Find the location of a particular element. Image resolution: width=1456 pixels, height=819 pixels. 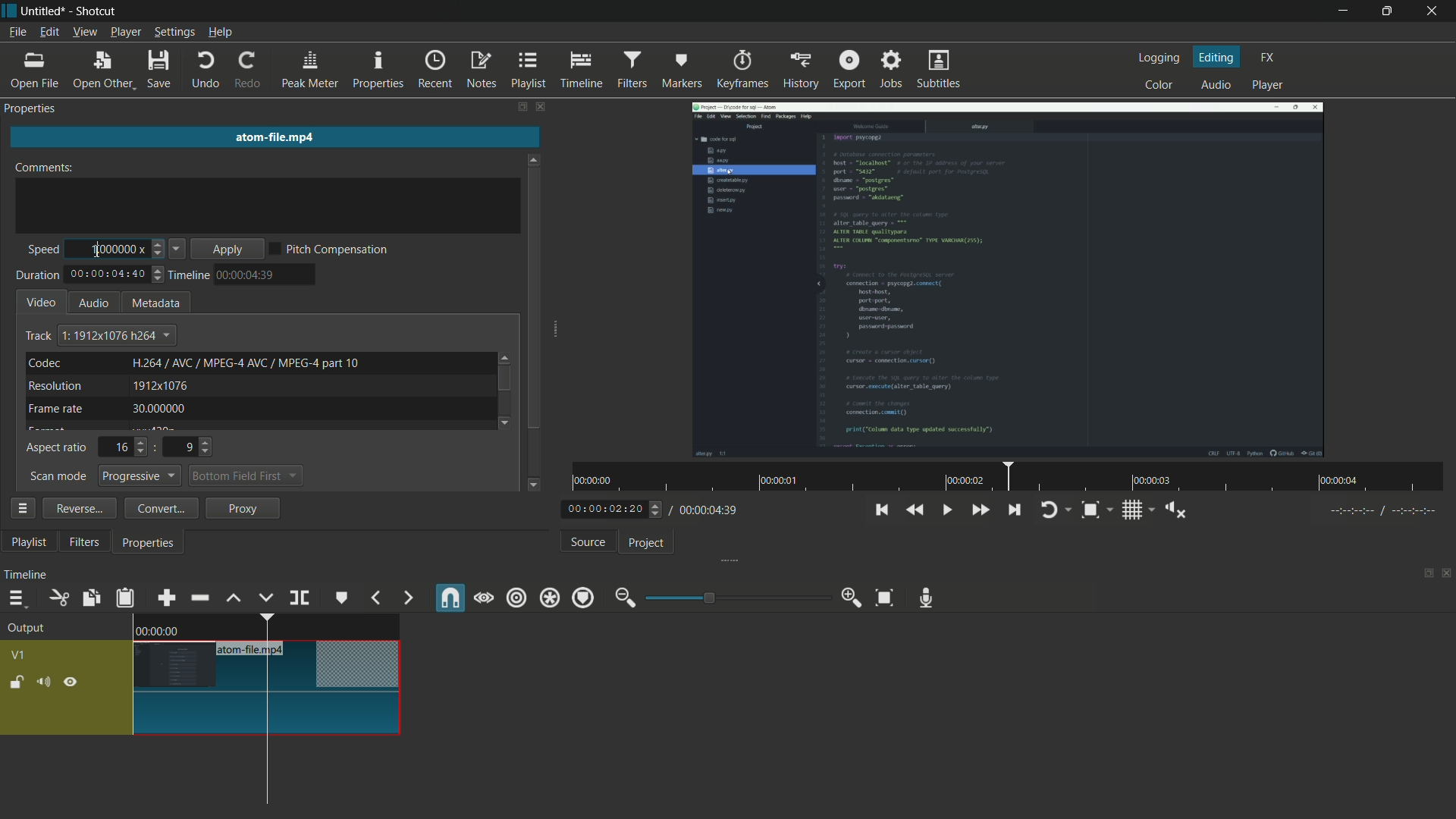

markers is located at coordinates (683, 71).